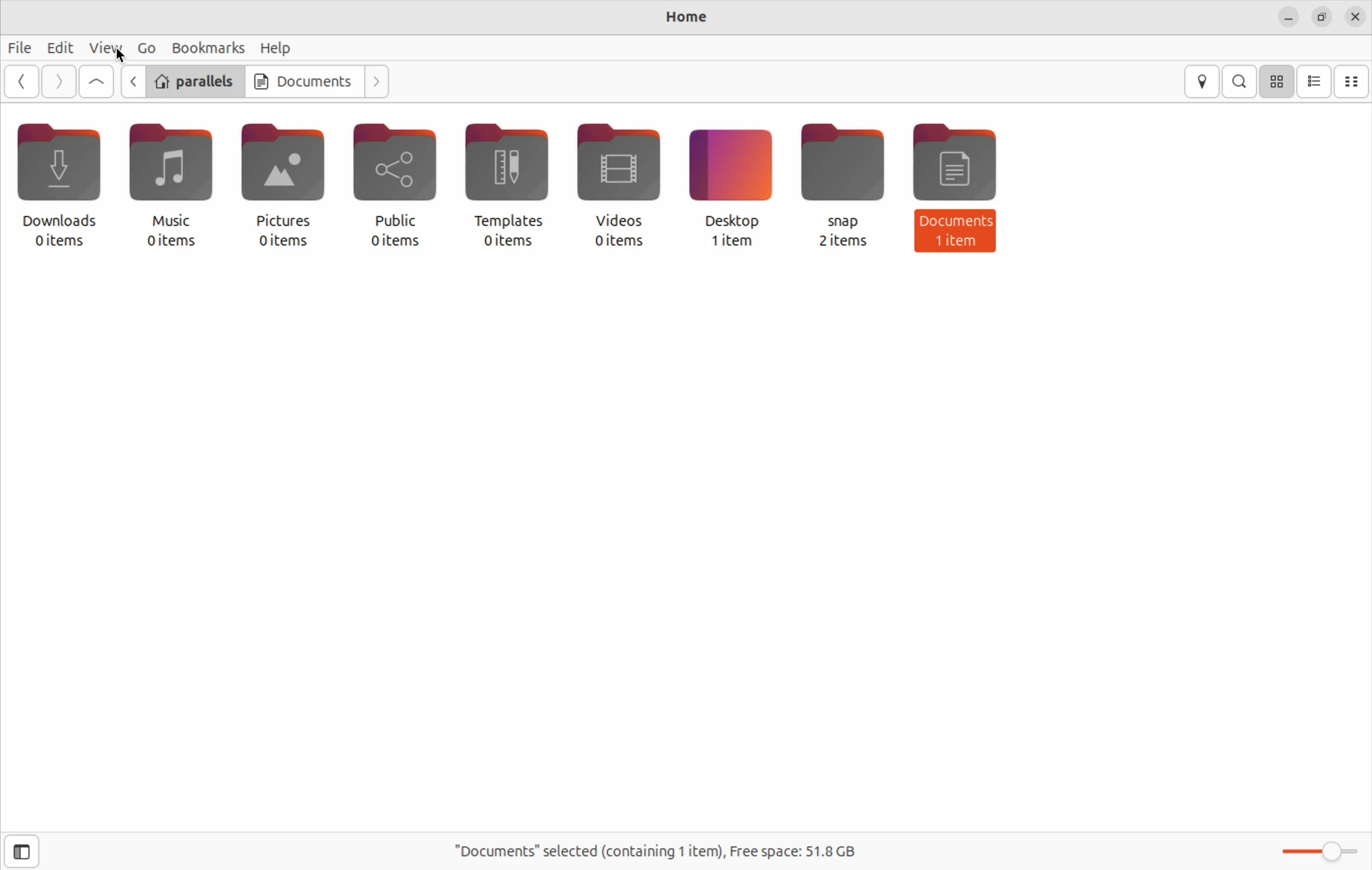 The height and width of the screenshot is (870, 1372). Describe the element at coordinates (174, 173) in the screenshot. I see `Music` at that location.